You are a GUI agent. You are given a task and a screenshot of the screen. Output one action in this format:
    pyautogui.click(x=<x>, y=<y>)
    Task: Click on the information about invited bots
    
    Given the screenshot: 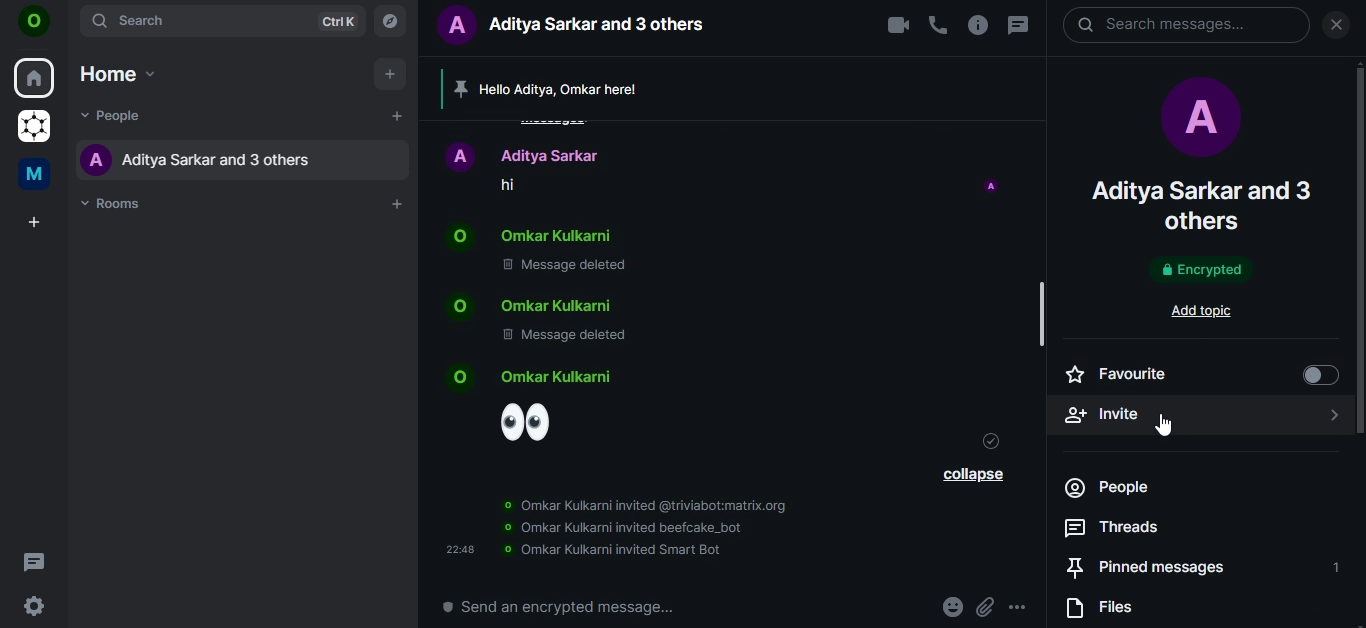 What is the action you would take?
    pyautogui.click(x=619, y=526)
    